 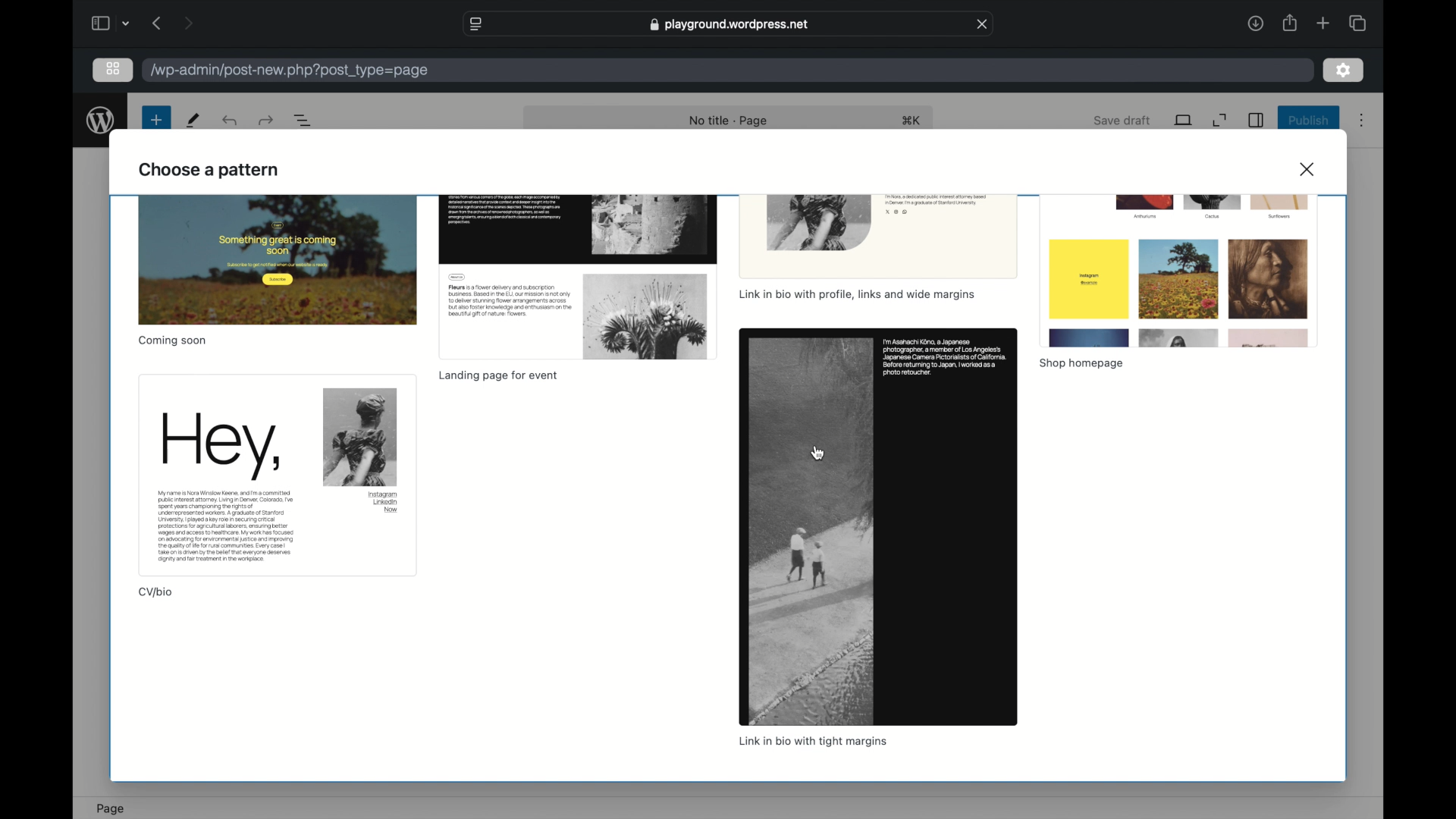 I want to click on undo, so click(x=265, y=120).